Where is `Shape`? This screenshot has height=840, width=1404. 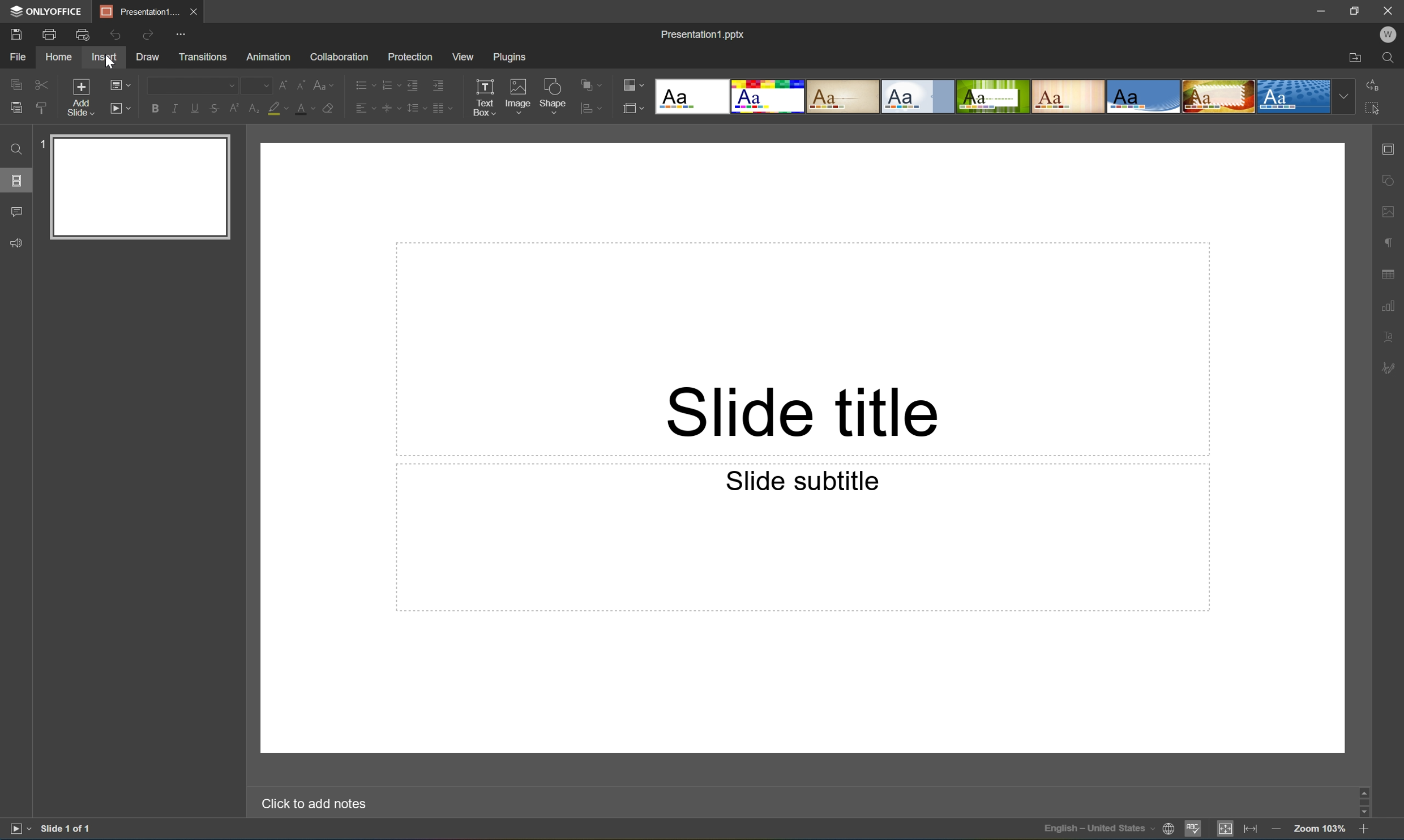 Shape is located at coordinates (553, 94).